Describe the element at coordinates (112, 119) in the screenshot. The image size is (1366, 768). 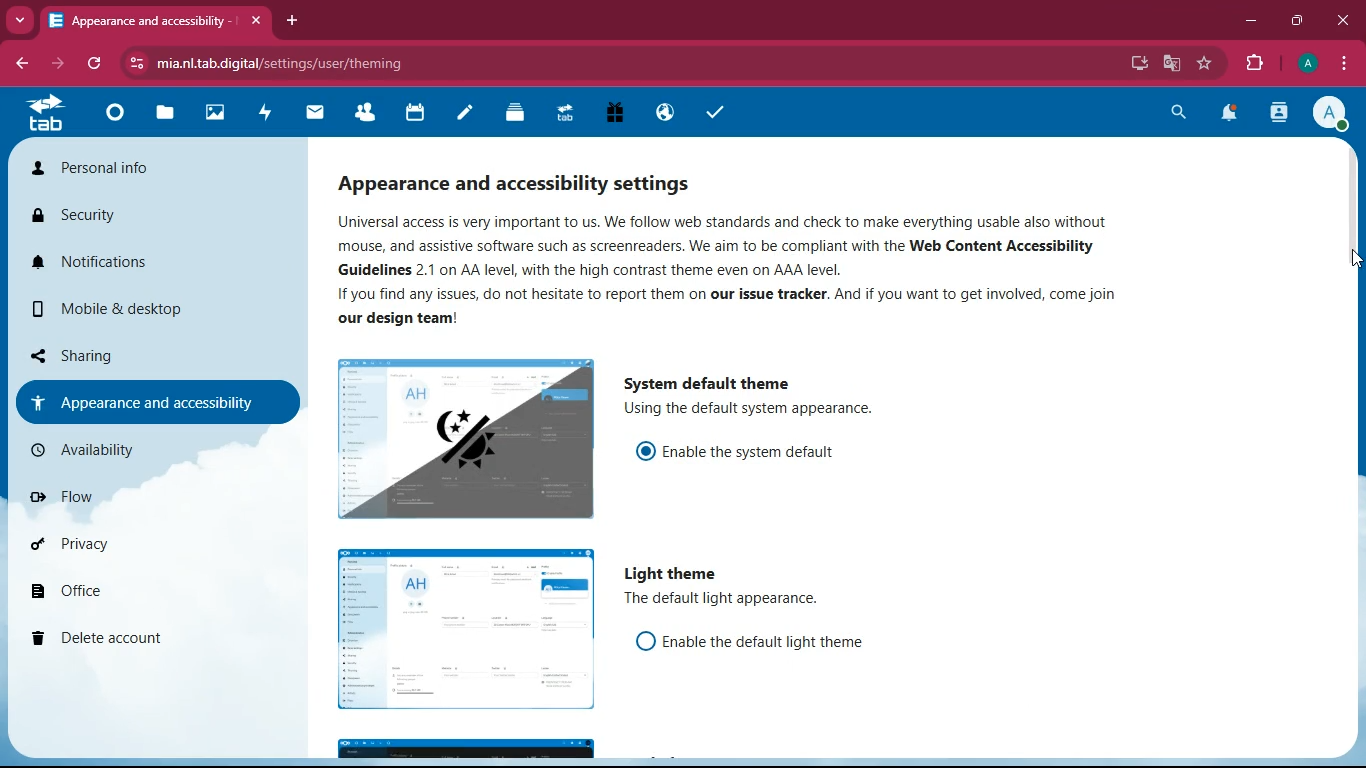
I see `home` at that location.